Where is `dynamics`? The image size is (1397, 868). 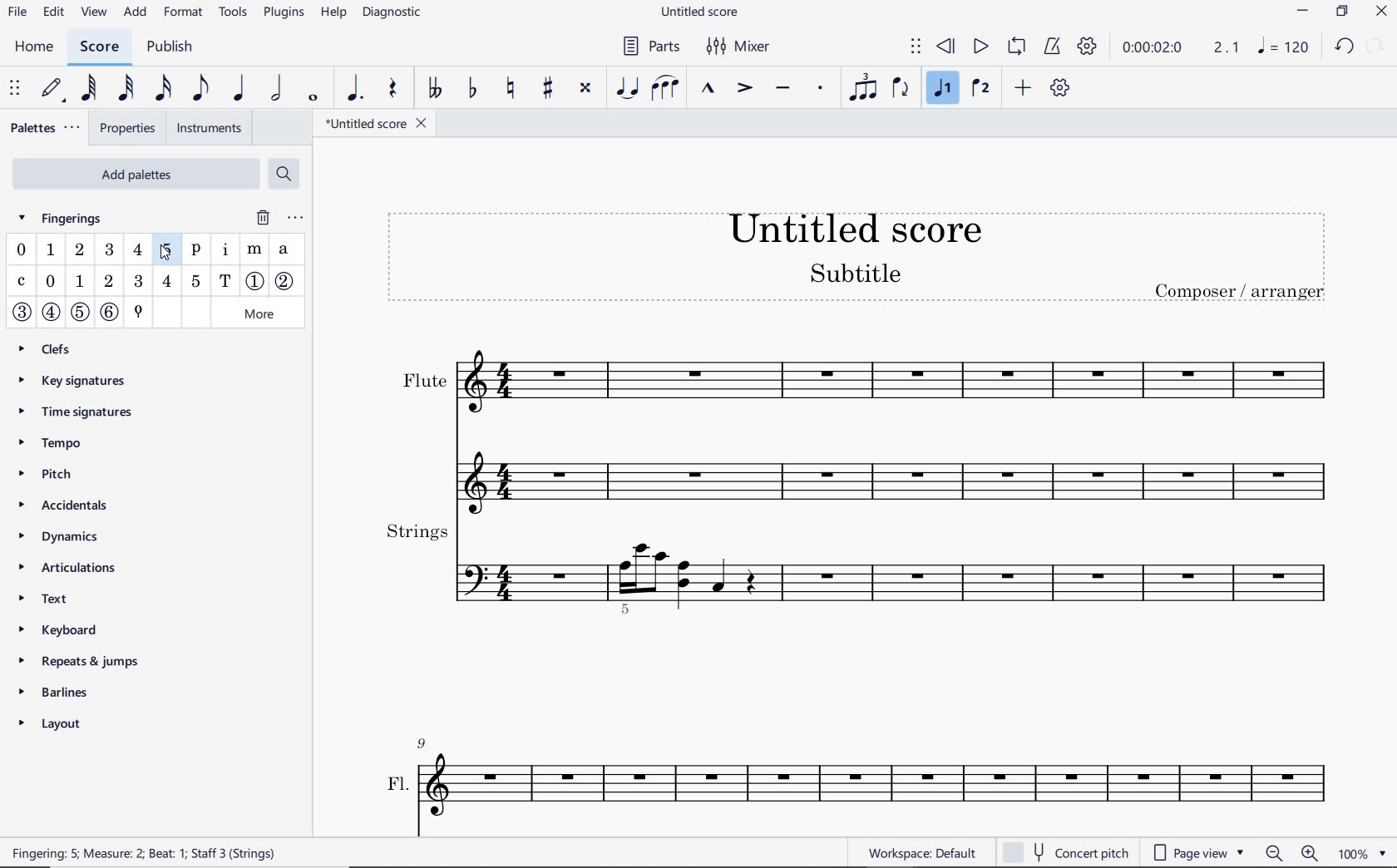 dynamics is located at coordinates (70, 537).